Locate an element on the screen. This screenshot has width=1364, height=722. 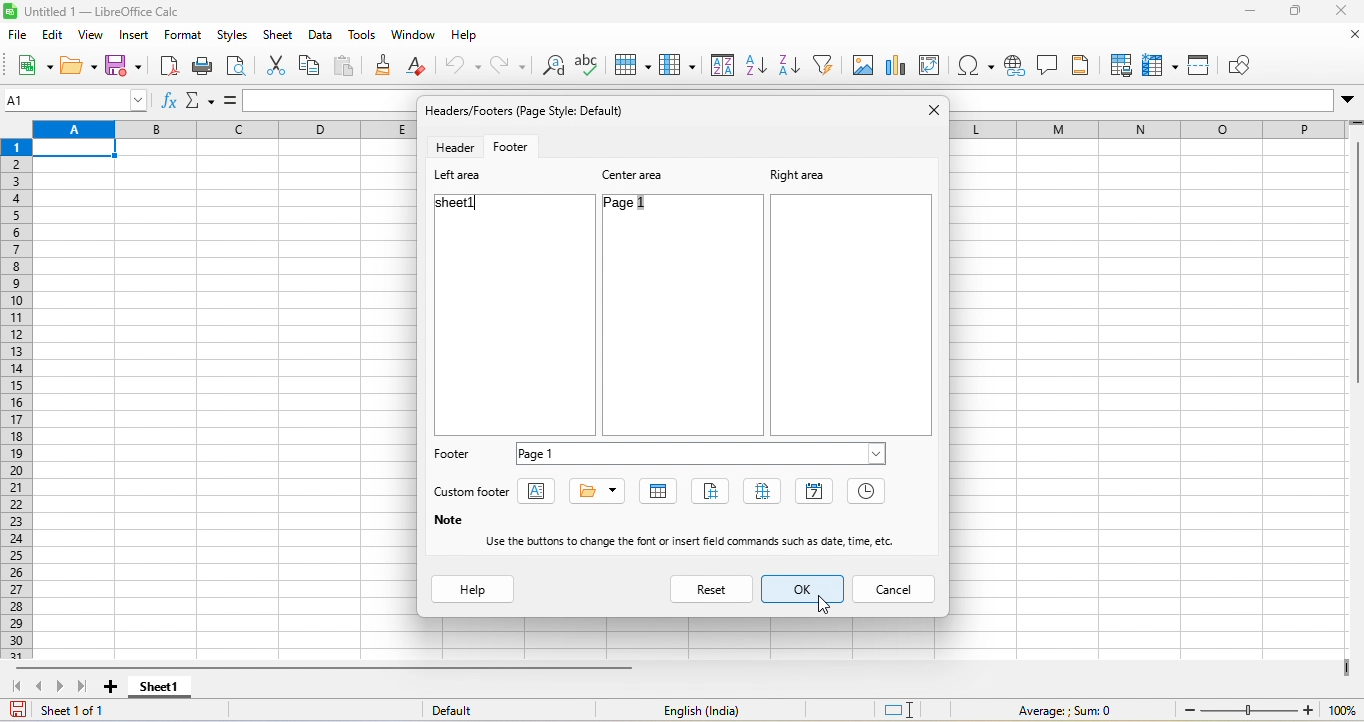
edit pivot table is located at coordinates (937, 67).